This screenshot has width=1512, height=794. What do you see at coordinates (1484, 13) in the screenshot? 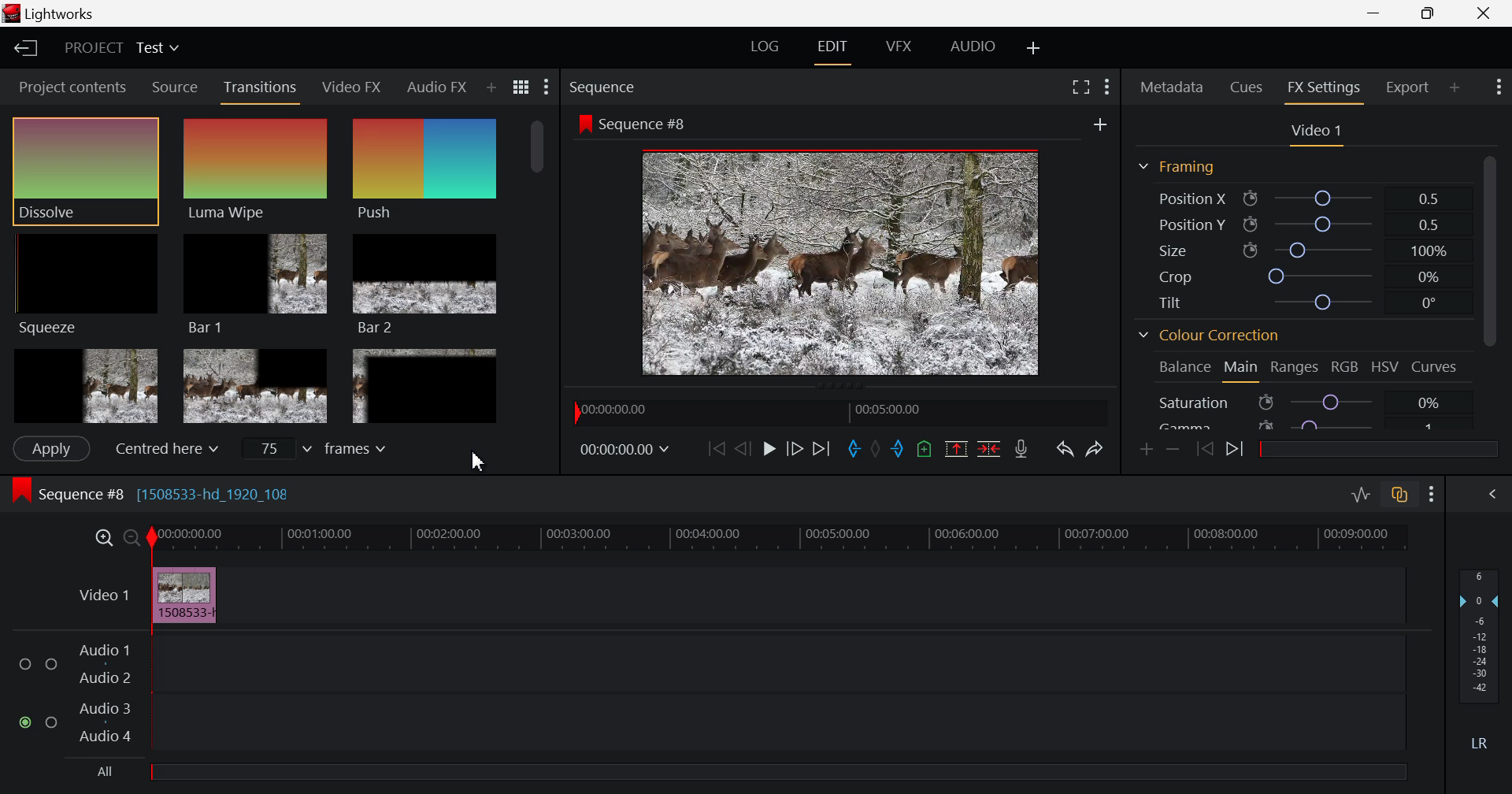
I see `Close` at bounding box center [1484, 13].